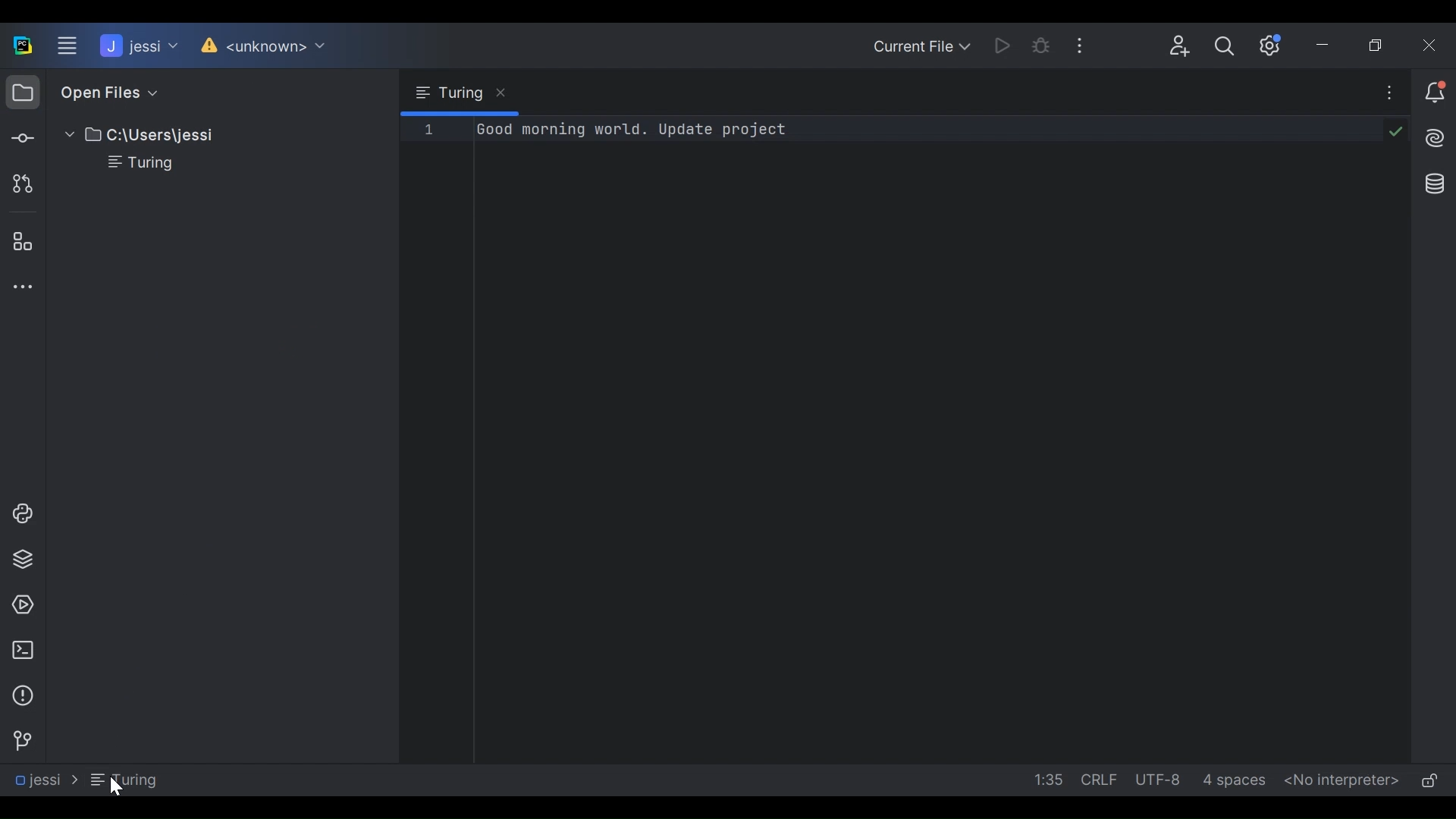 The height and width of the screenshot is (819, 1456). I want to click on Minimize, so click(1328, 45).